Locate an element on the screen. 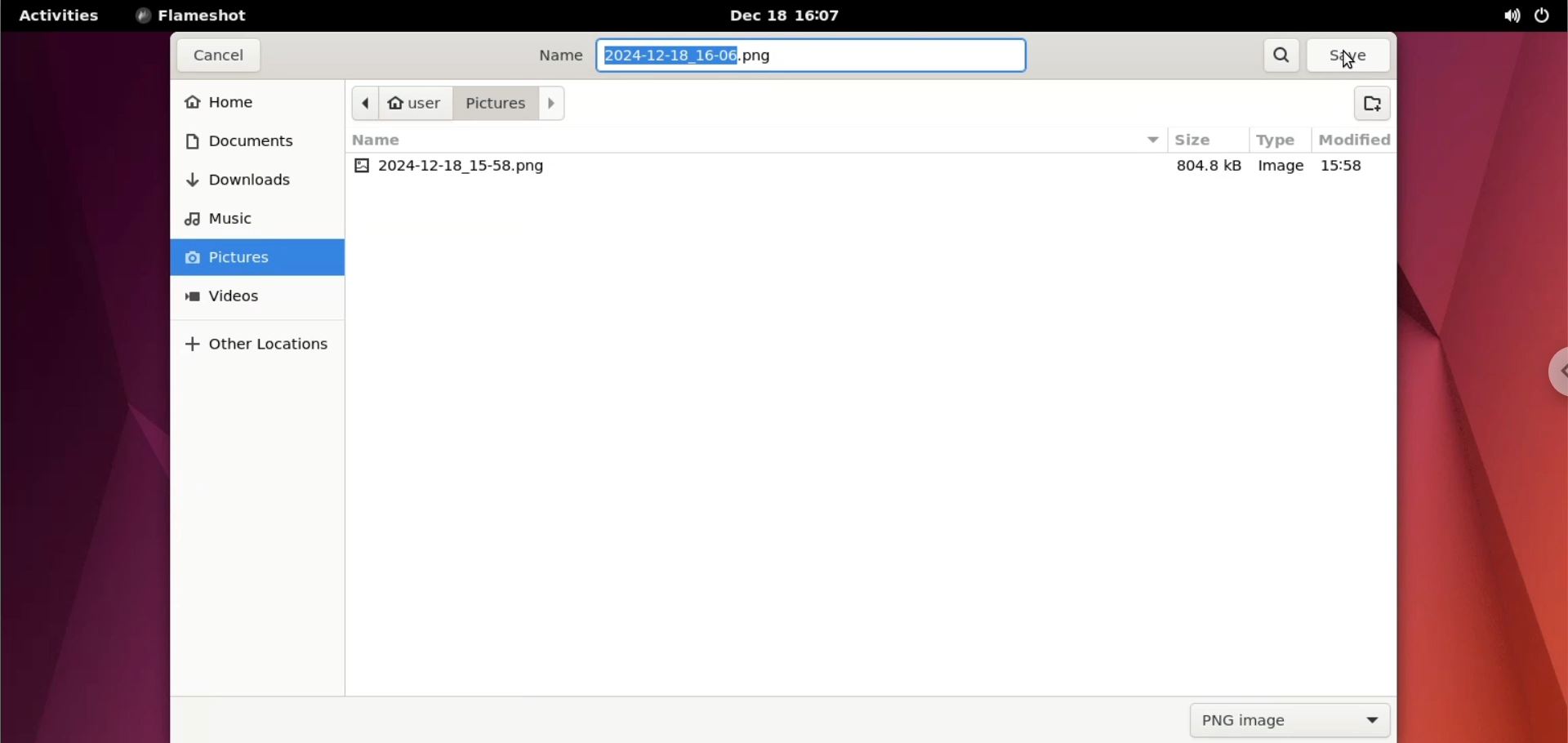 Image resolution: width=1568 pixels, height=743 pixels. cancel is located at coordinates (218, 57).